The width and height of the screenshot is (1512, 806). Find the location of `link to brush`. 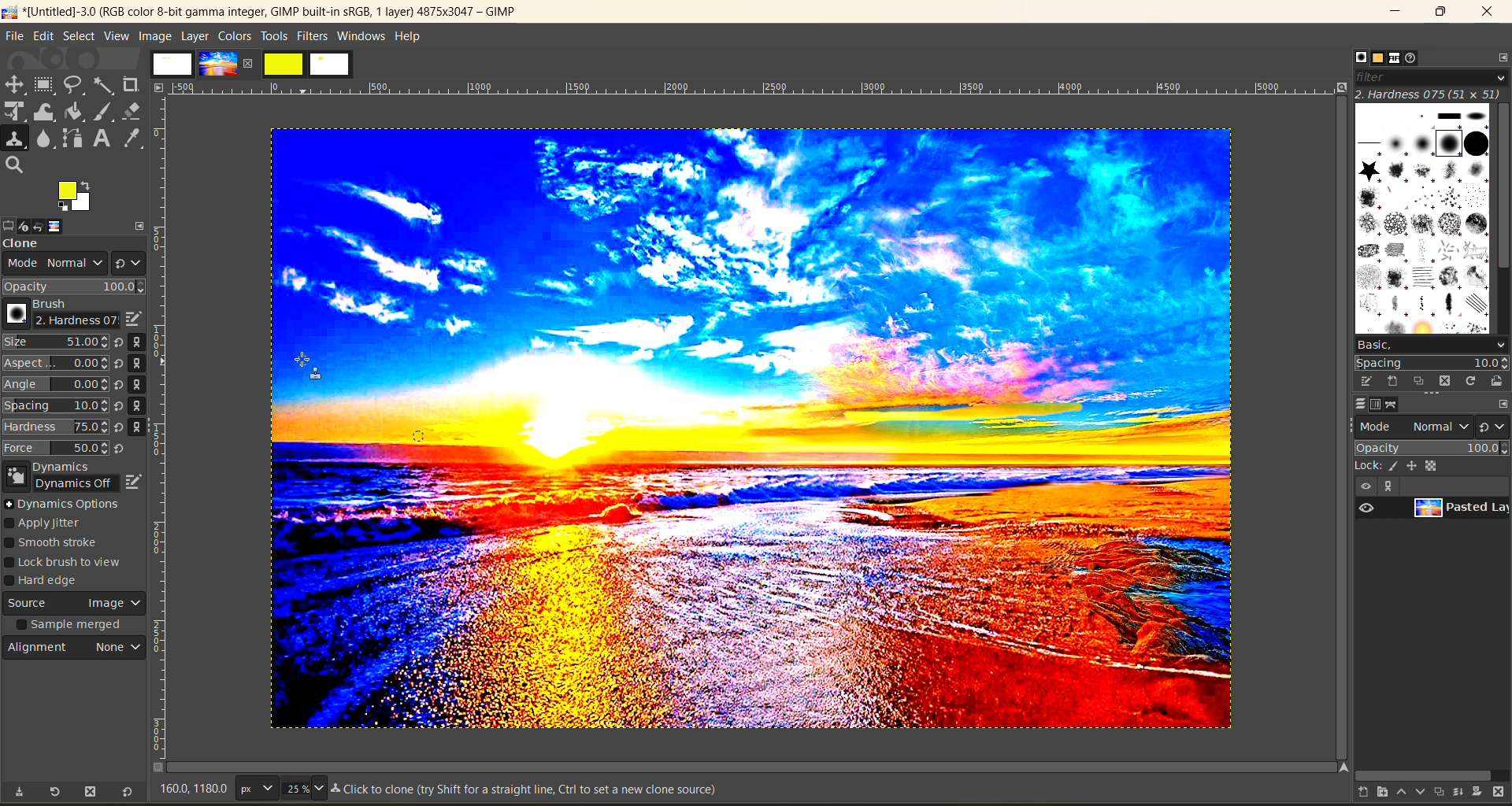

link to brush is located at coordinates (142, 387).